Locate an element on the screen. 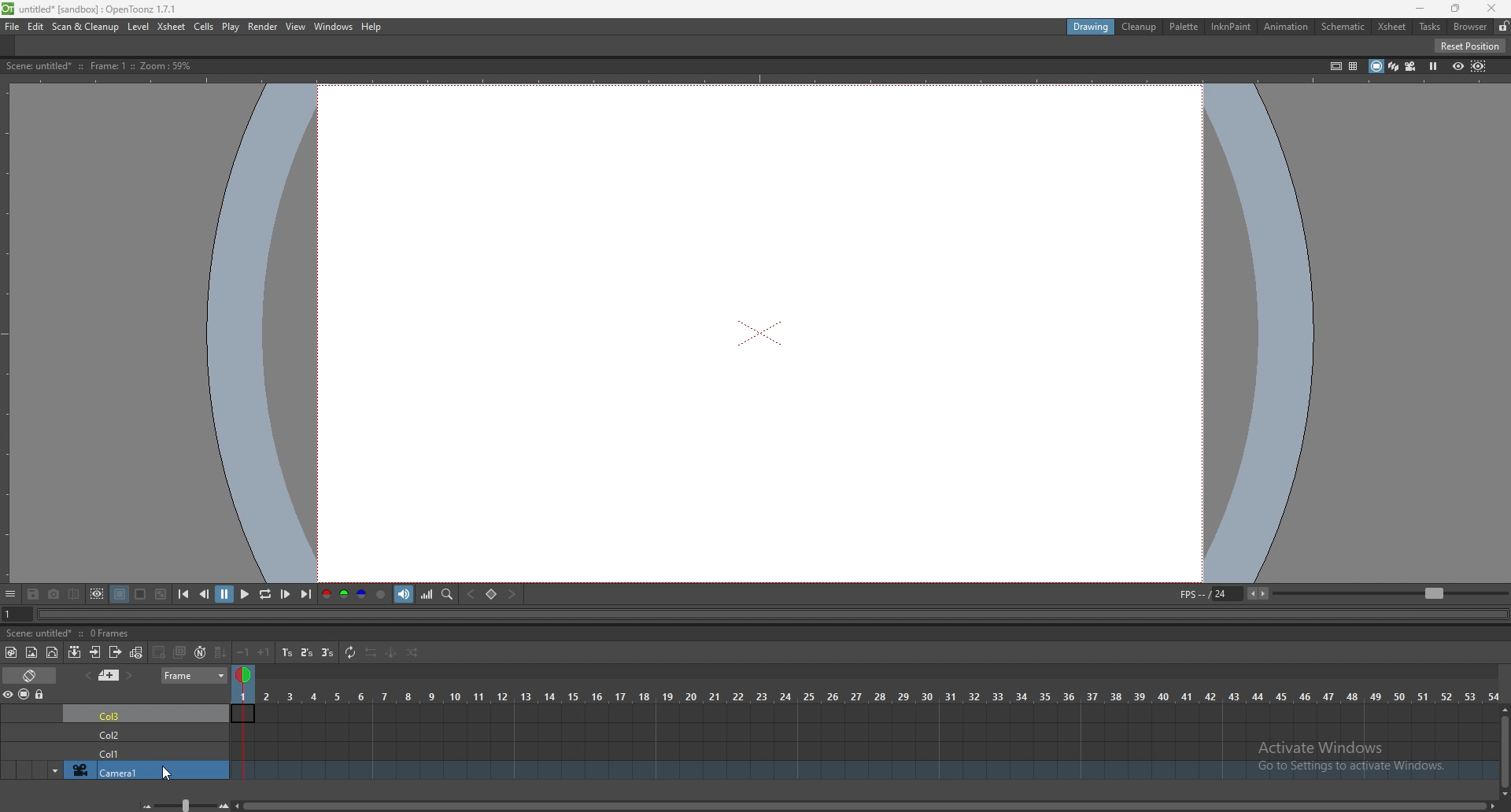 The height and width of the screenshot is (812, 1511). cleanup is located at coordinates (1140, 28).